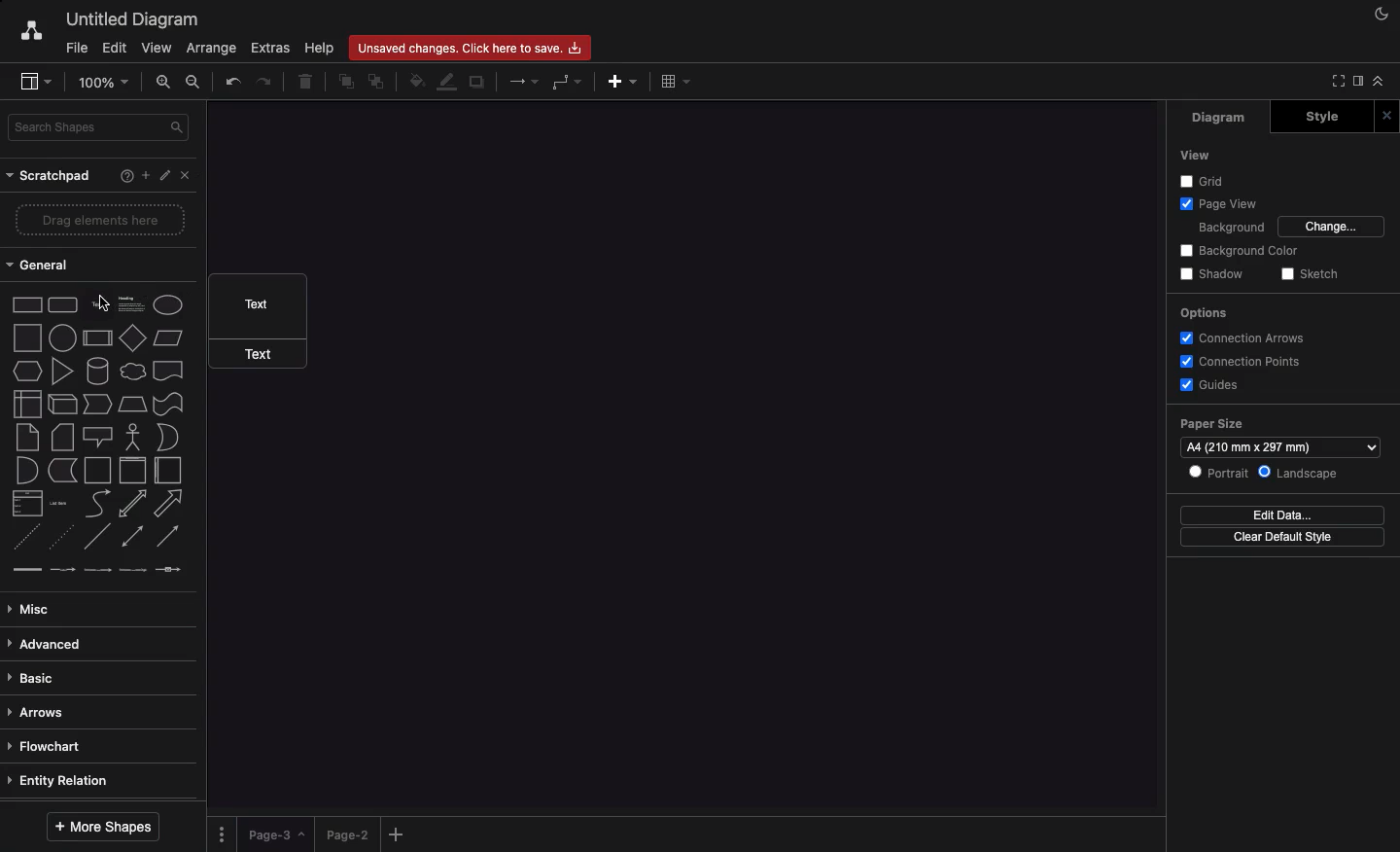 The width and height of the screenshot is (1400, 852). I want to click on Edit, so click(114, 49).